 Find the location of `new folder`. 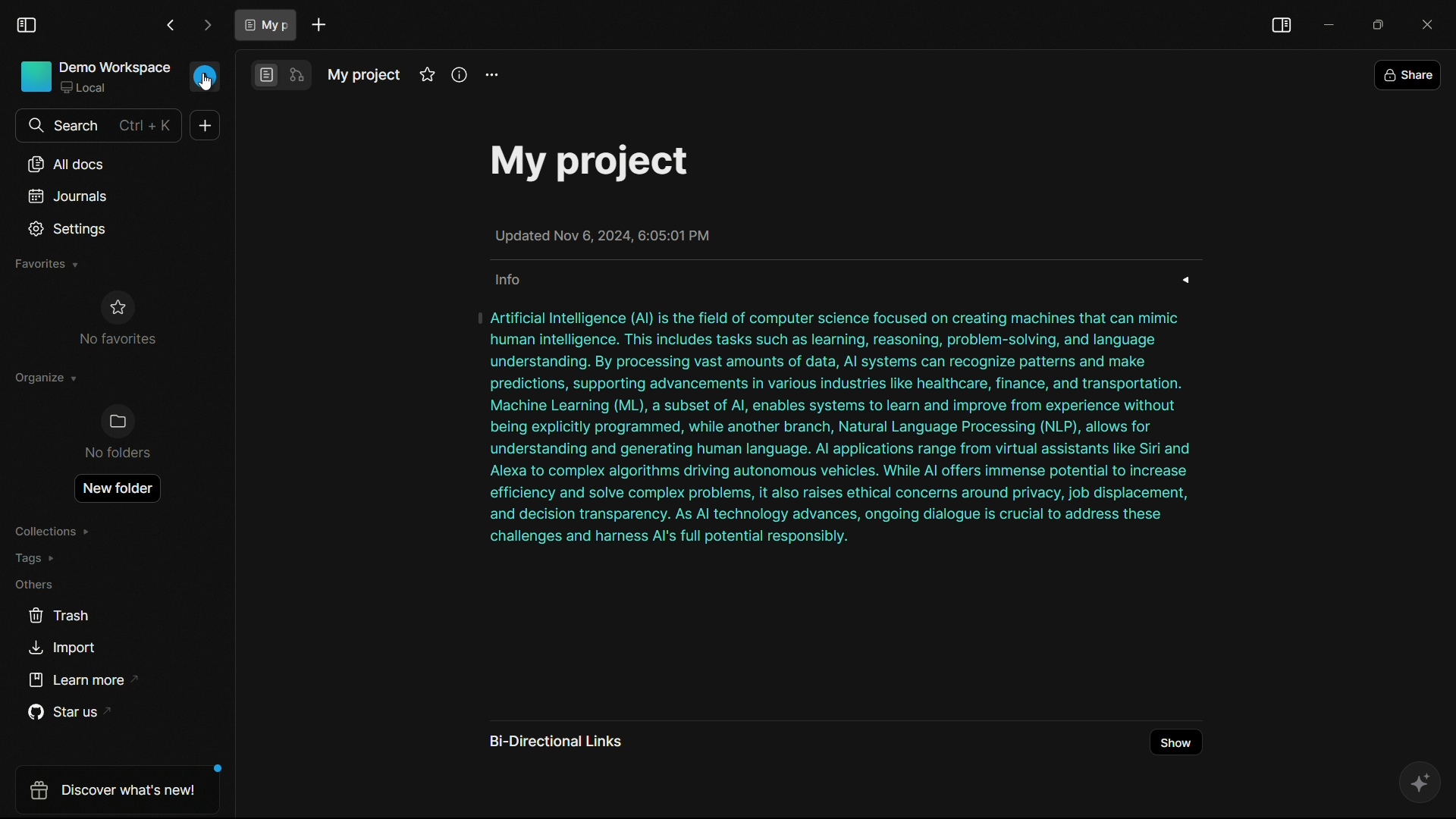

new folder is located at coordinates (118, 488).